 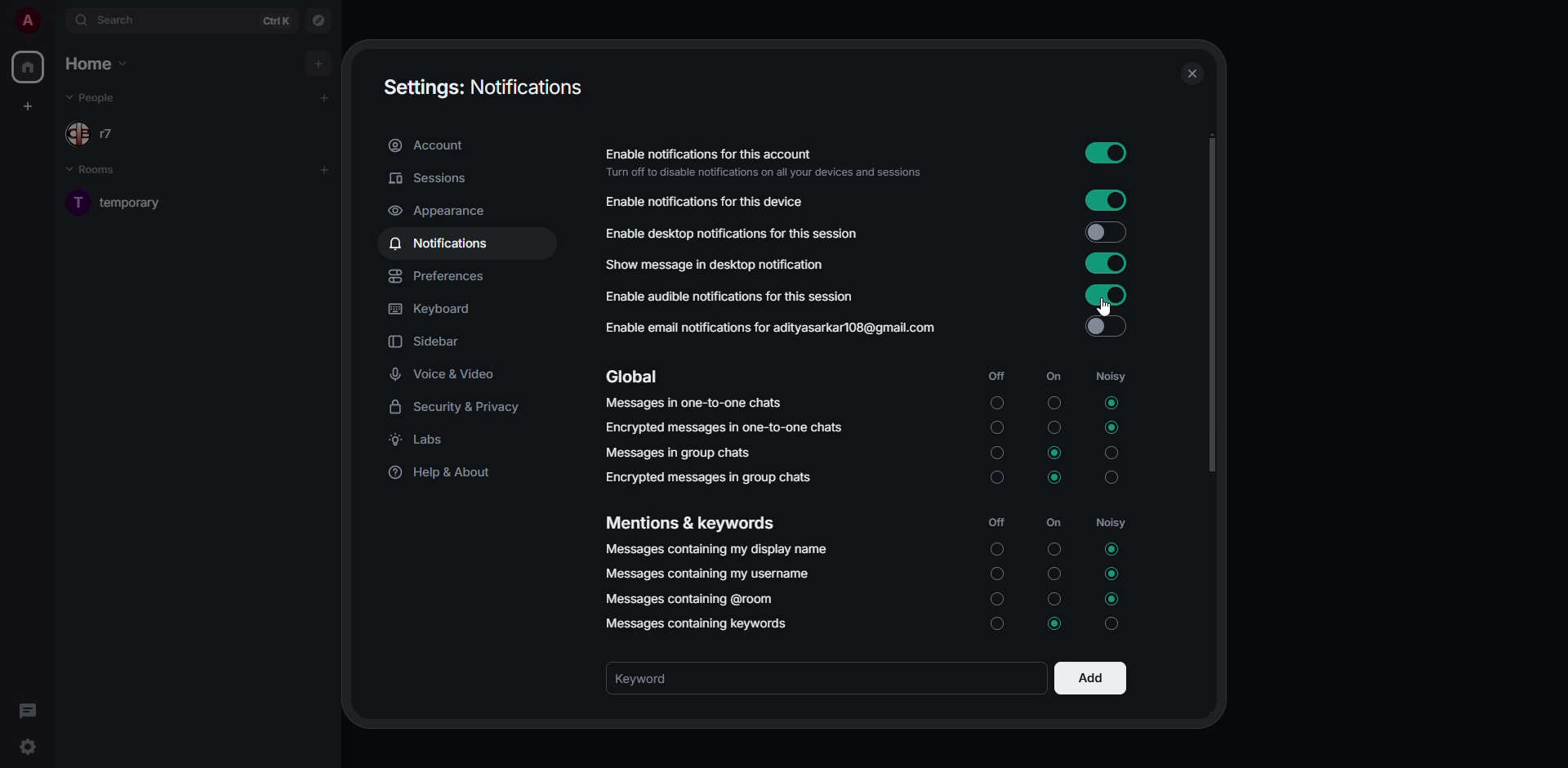 I want to click on add, so click(x=323, y=170).